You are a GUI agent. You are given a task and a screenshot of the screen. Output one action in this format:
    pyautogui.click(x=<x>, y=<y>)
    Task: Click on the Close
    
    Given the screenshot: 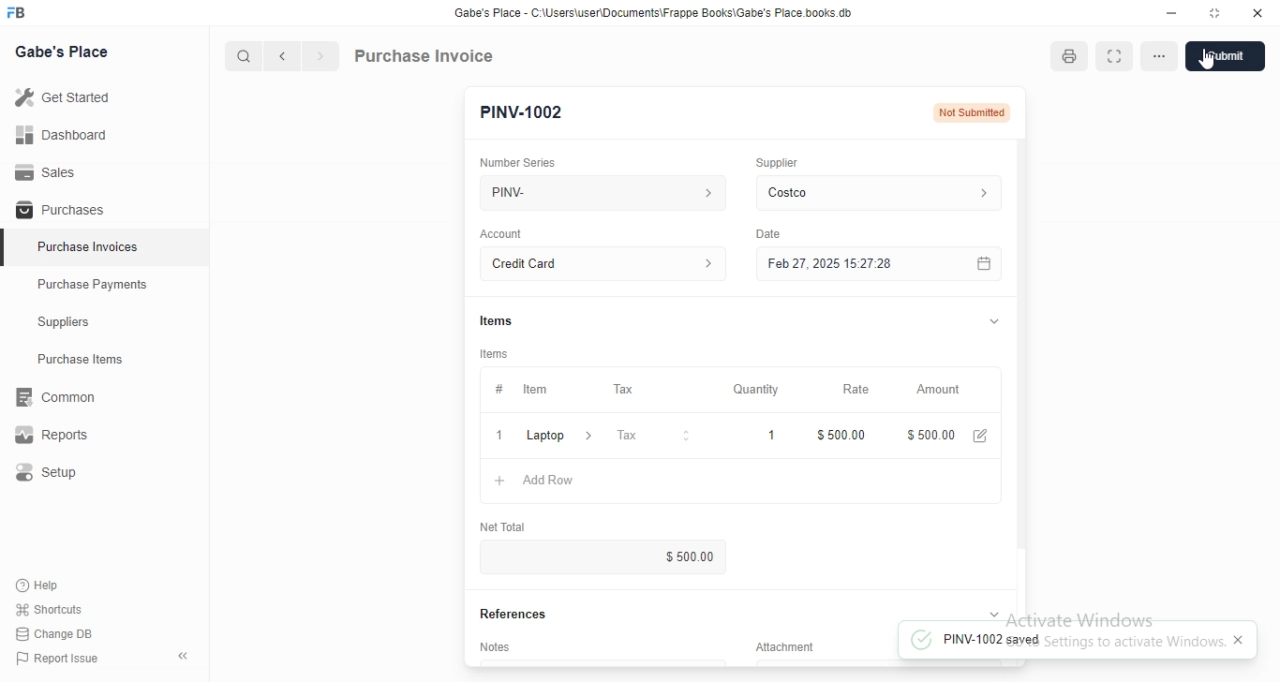 What is the action you would take?
    pyautogui.click(x=500, y=435)
    